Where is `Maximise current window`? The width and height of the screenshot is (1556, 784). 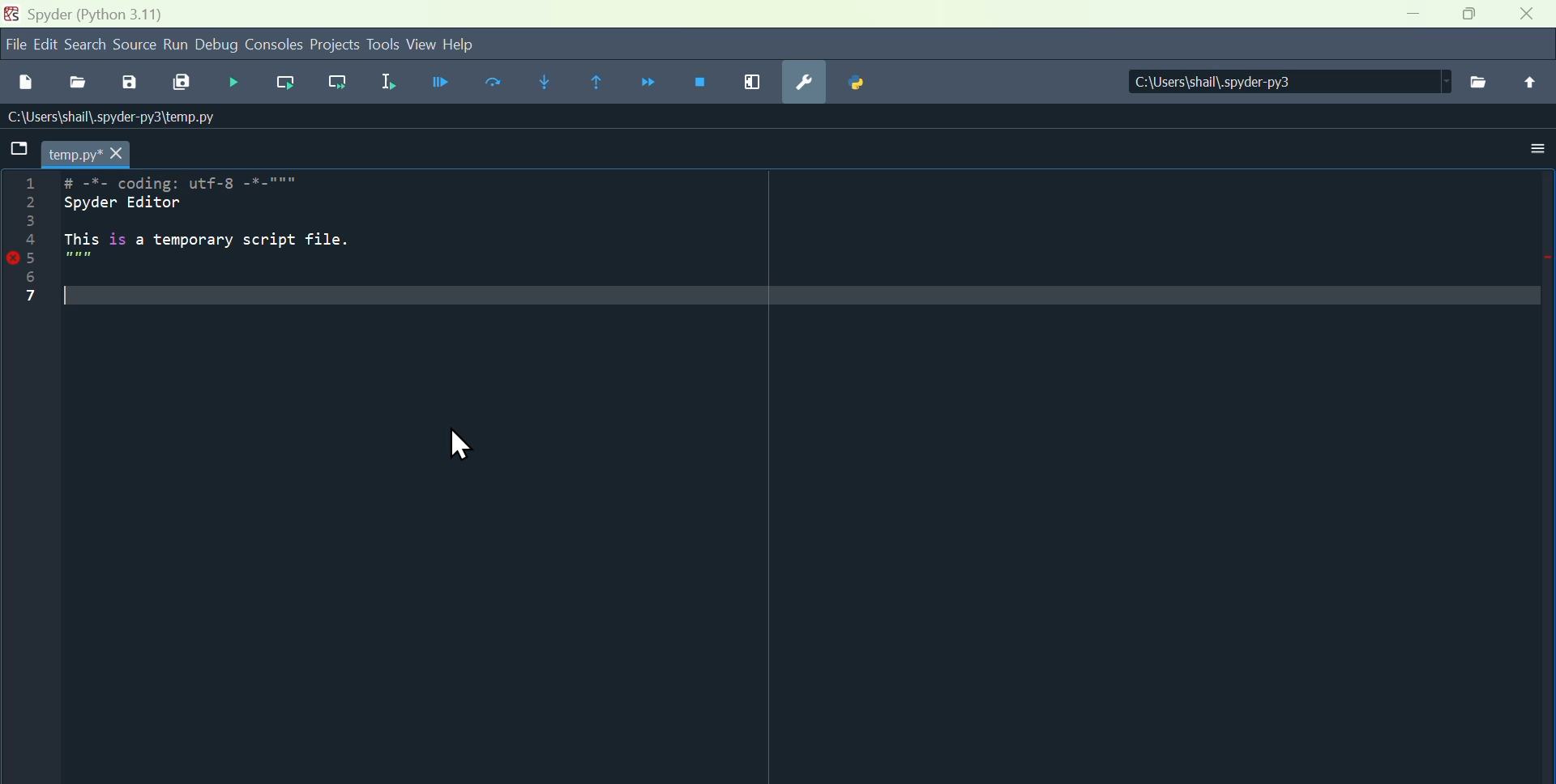 Maximise current window is located at coordinates (752, 80).